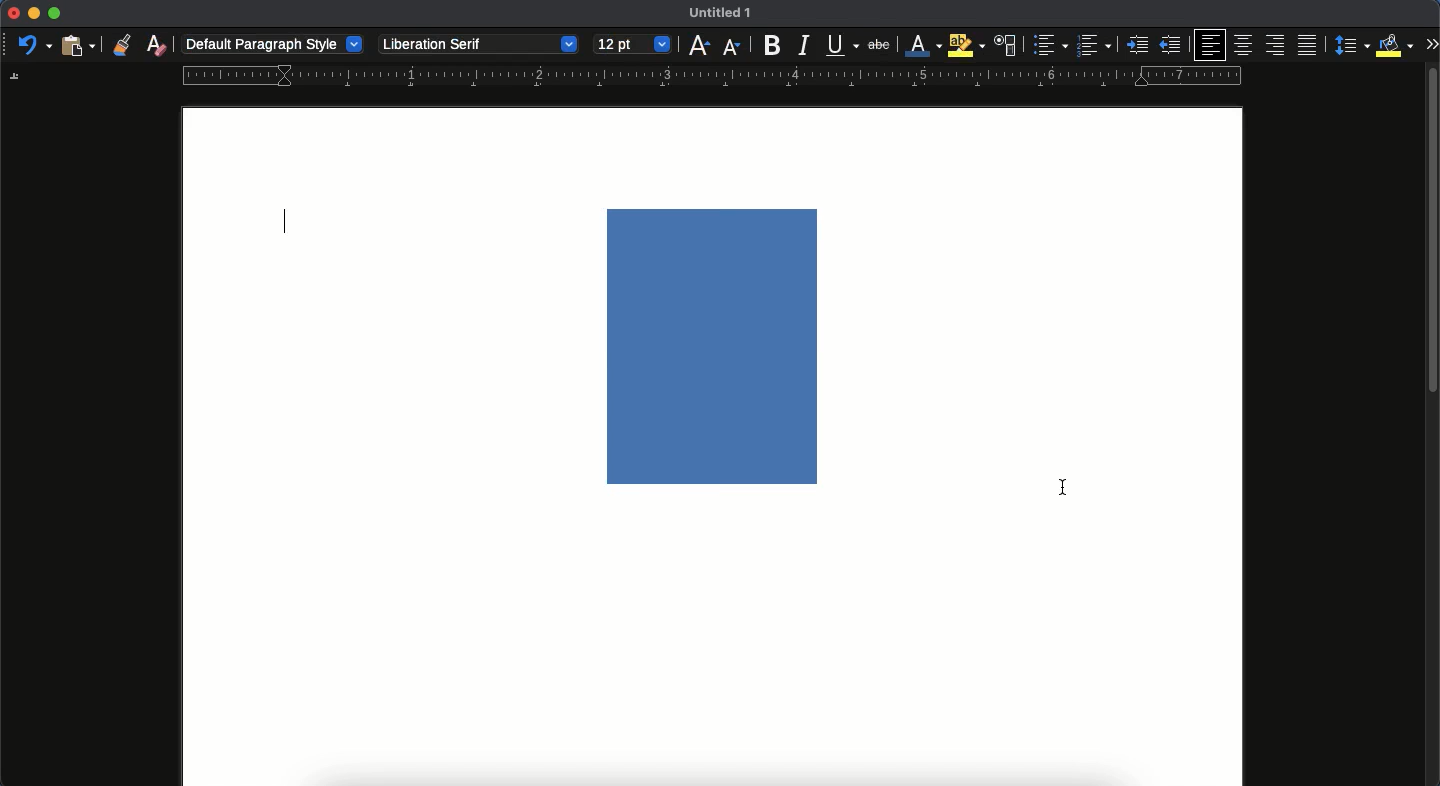 Image resolution: width=1440 pixels, height=786 pixels. Describe the element at coordinates (966, 45) in the screenshot. I see `highlight color` at that location.